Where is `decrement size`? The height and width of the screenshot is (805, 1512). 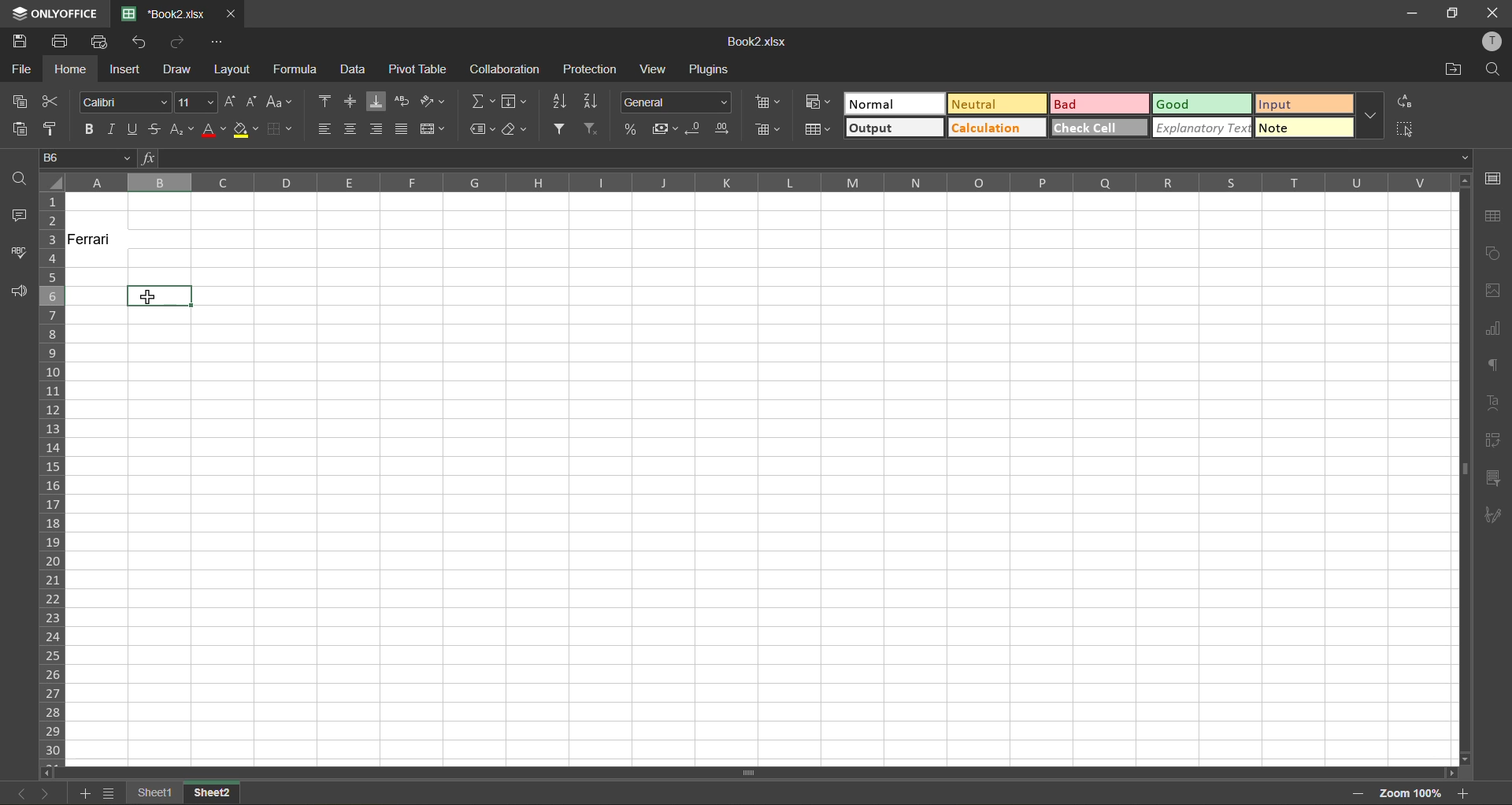 decrement size is located at coordinates (252, 102).